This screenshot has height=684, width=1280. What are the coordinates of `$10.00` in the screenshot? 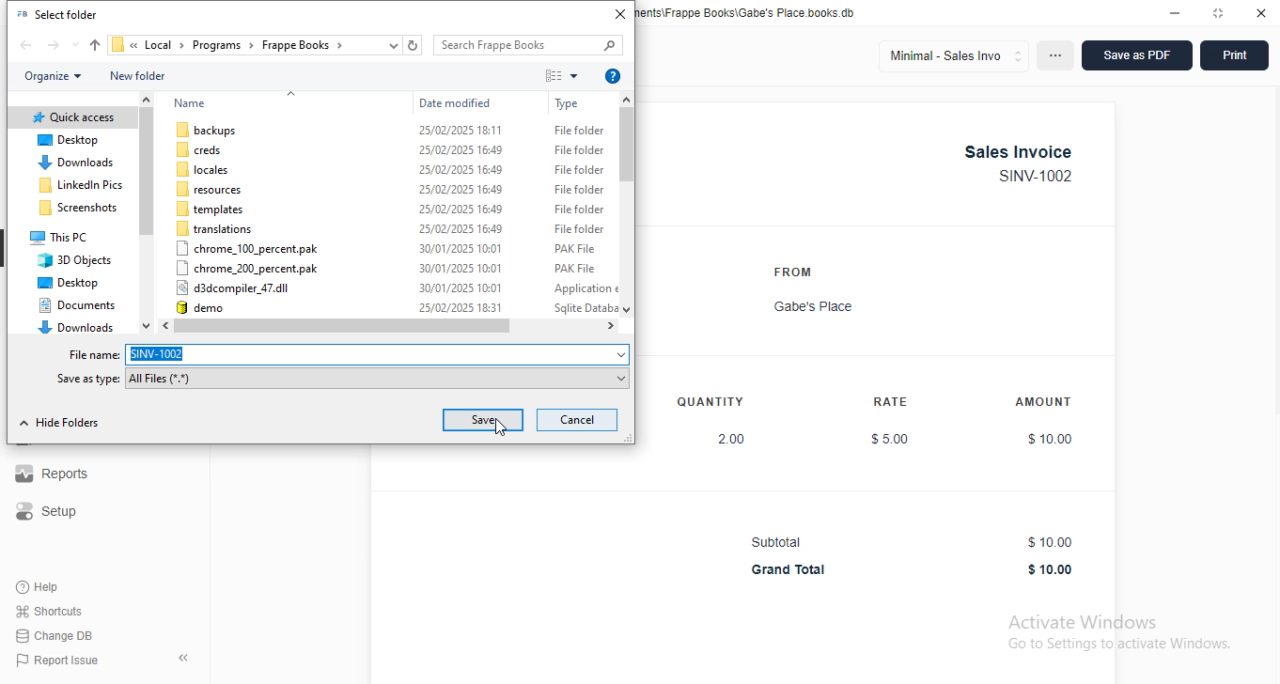 It's located at (1050, 440).